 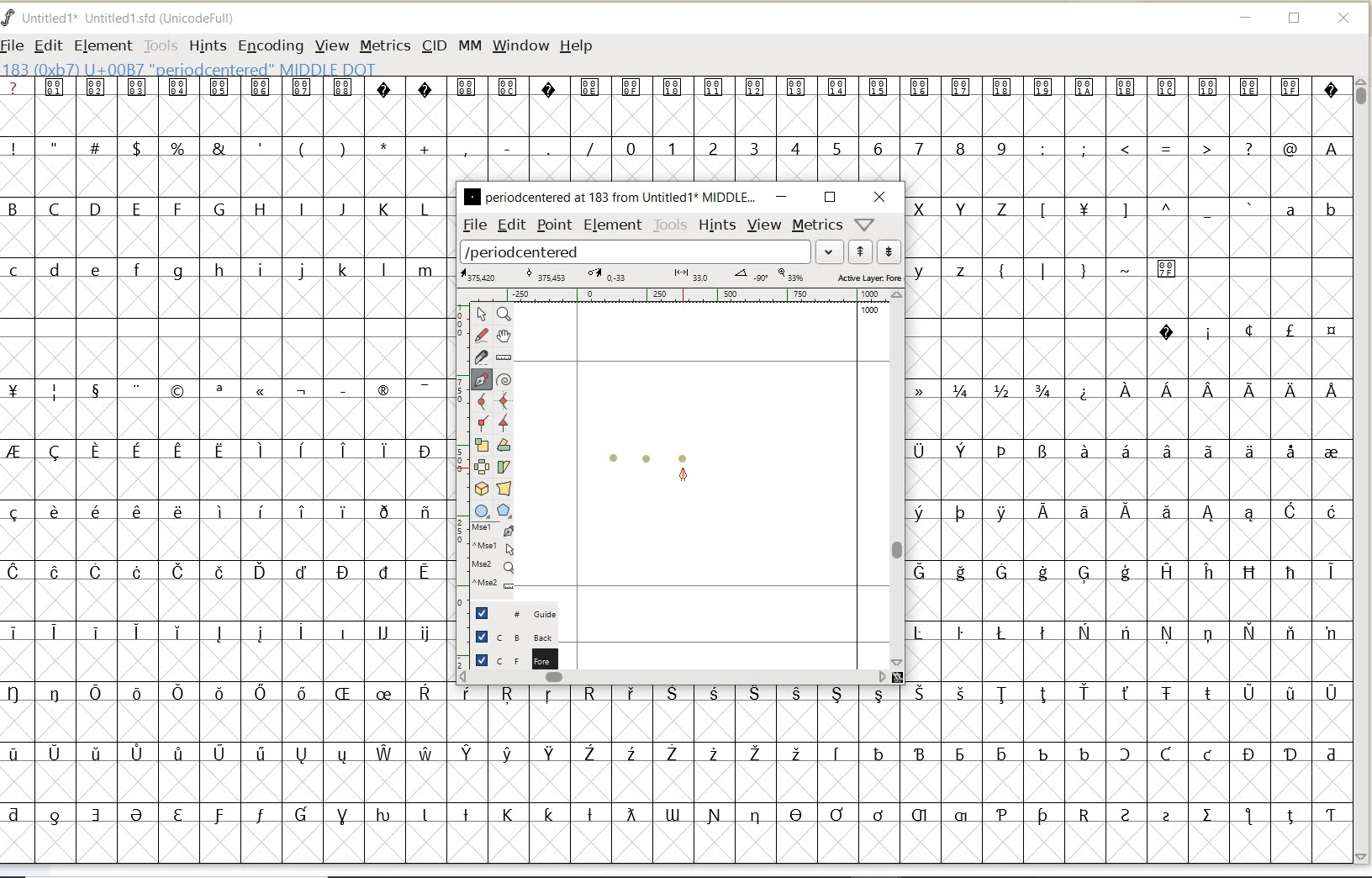 What do you see at coordinates (481, 488) in the screenshot?
I see `rotate the selection in 3D and project back to plane` at bounding box center [481, 488].